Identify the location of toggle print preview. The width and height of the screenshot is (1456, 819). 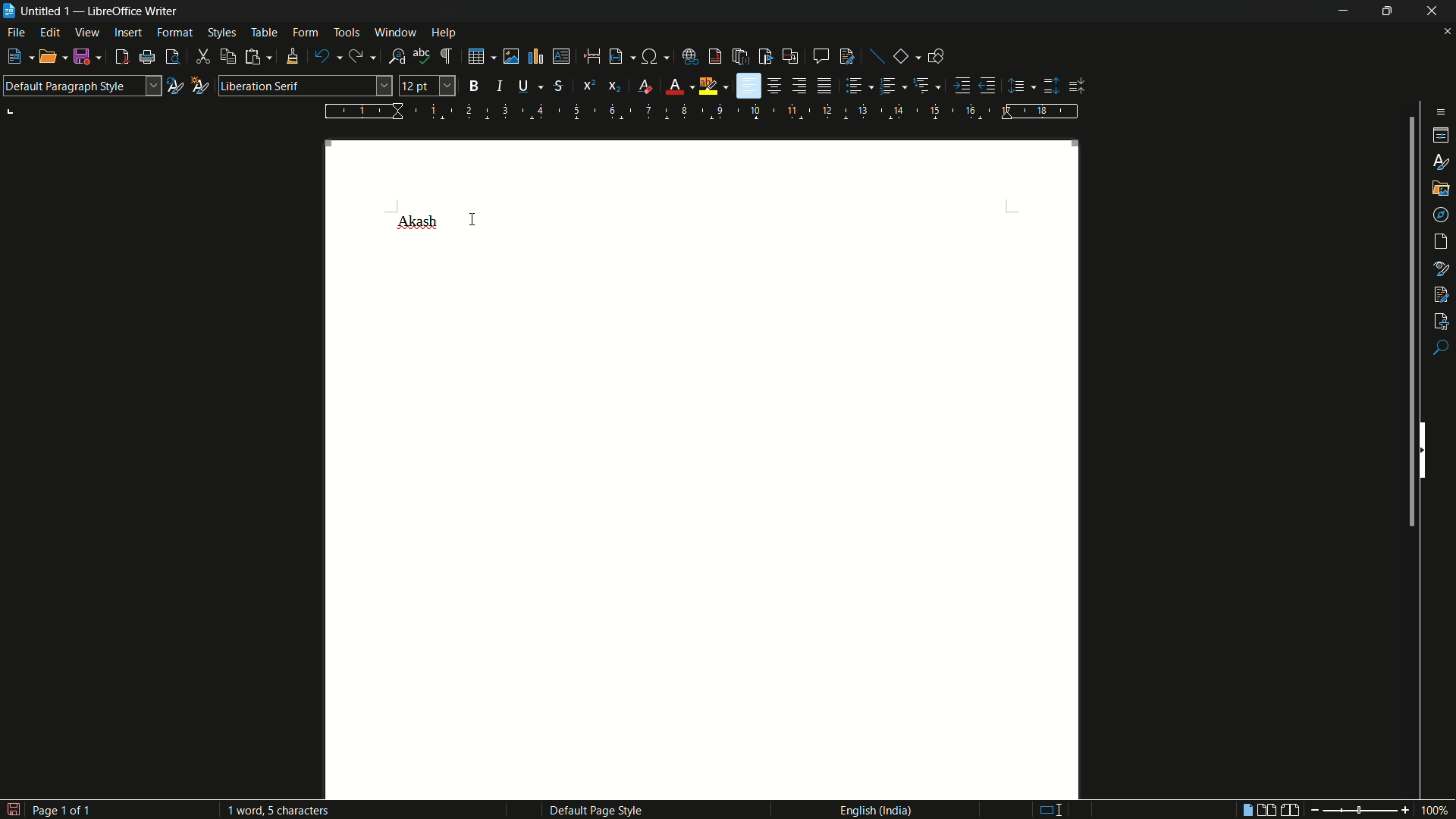
(173, 57).